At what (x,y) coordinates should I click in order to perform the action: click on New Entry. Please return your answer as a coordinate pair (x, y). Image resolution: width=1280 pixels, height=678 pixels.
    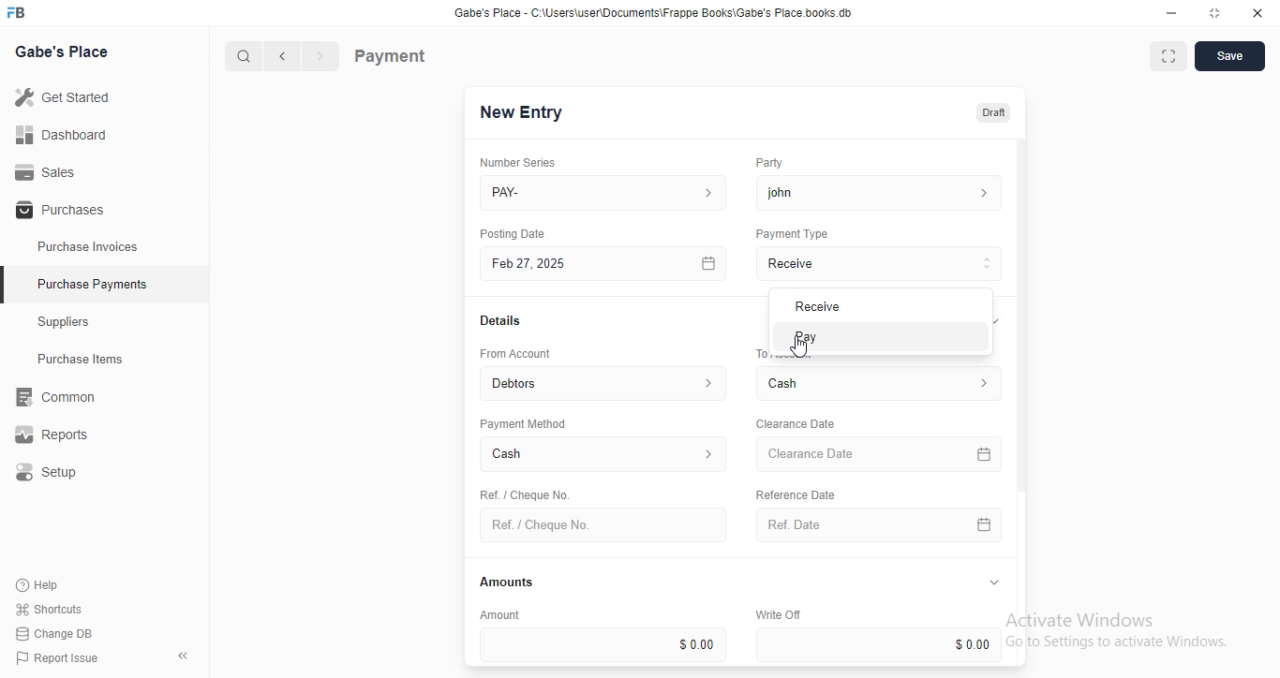
    Looking at the image, I should click on (522, 113).